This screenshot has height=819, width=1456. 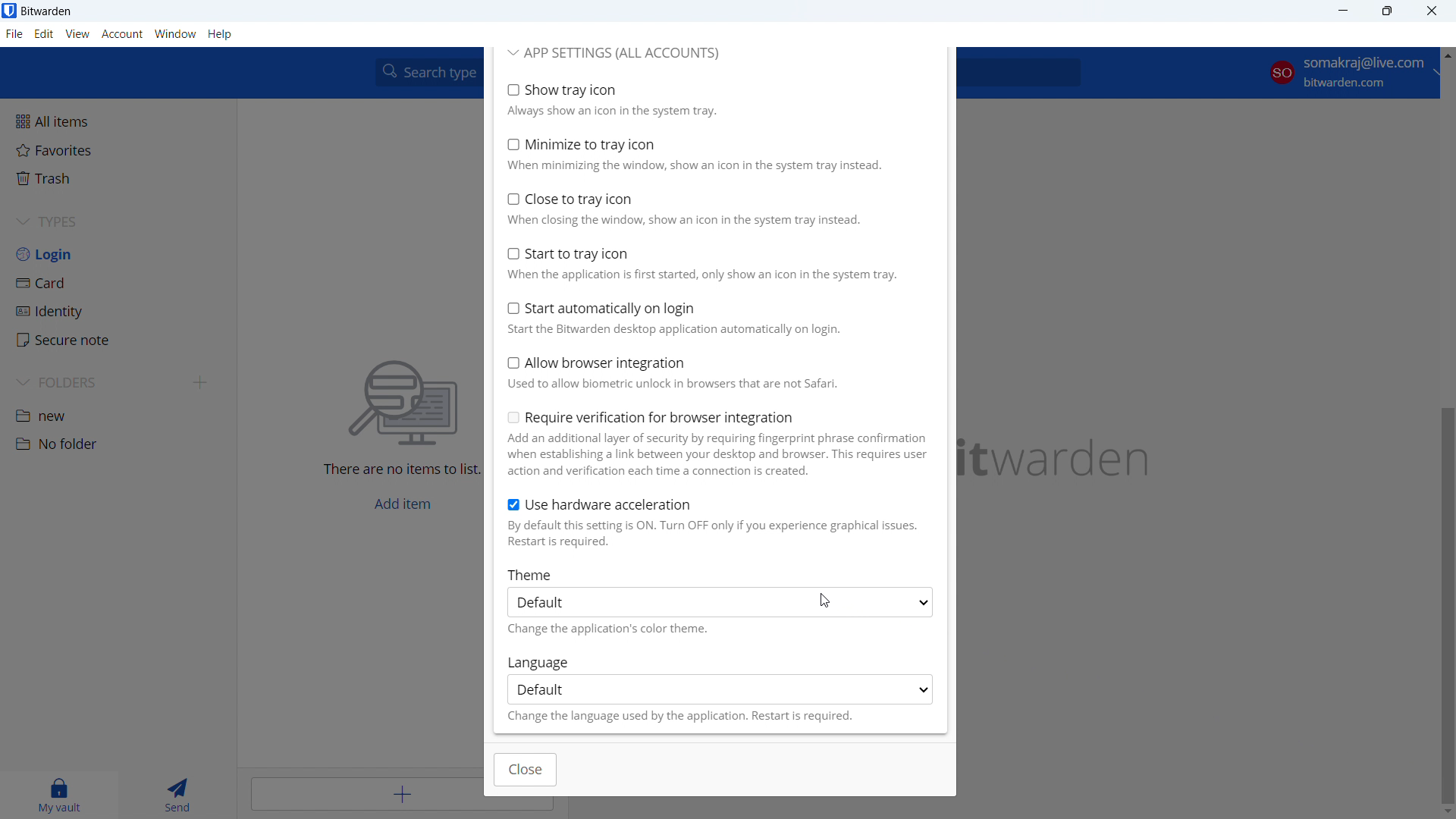 What do you see at coordinates (119, 283) in the screenshot?
I see `card` at bounding box center [119, 283].